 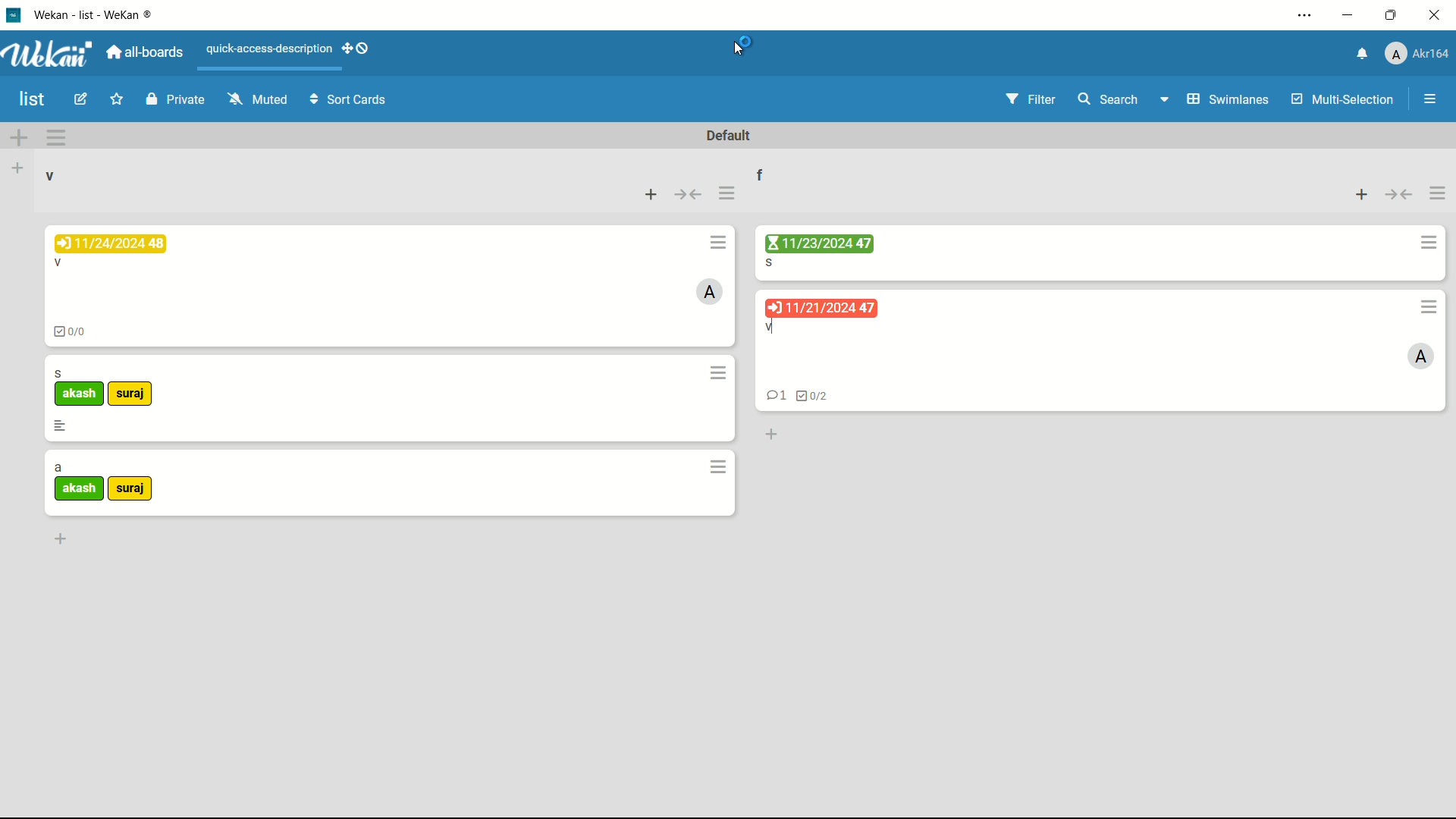 I want to click on label-2, so click(x=131, y=394).